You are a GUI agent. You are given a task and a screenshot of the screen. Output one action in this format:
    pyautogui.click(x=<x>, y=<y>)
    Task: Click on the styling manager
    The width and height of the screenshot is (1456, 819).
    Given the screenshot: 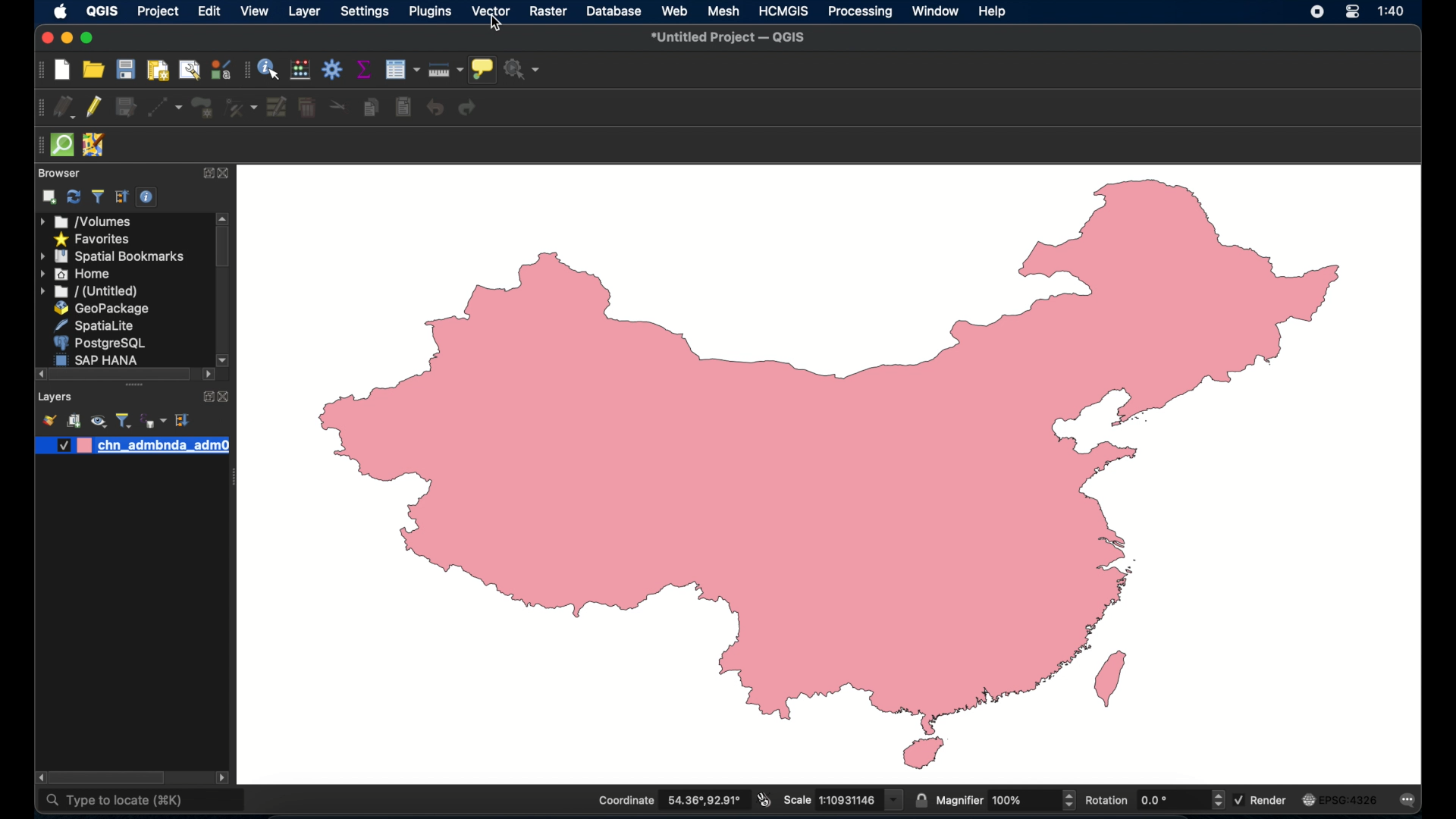 What is the action you would take?
    pyautogui.click(x=221, y=69)
    